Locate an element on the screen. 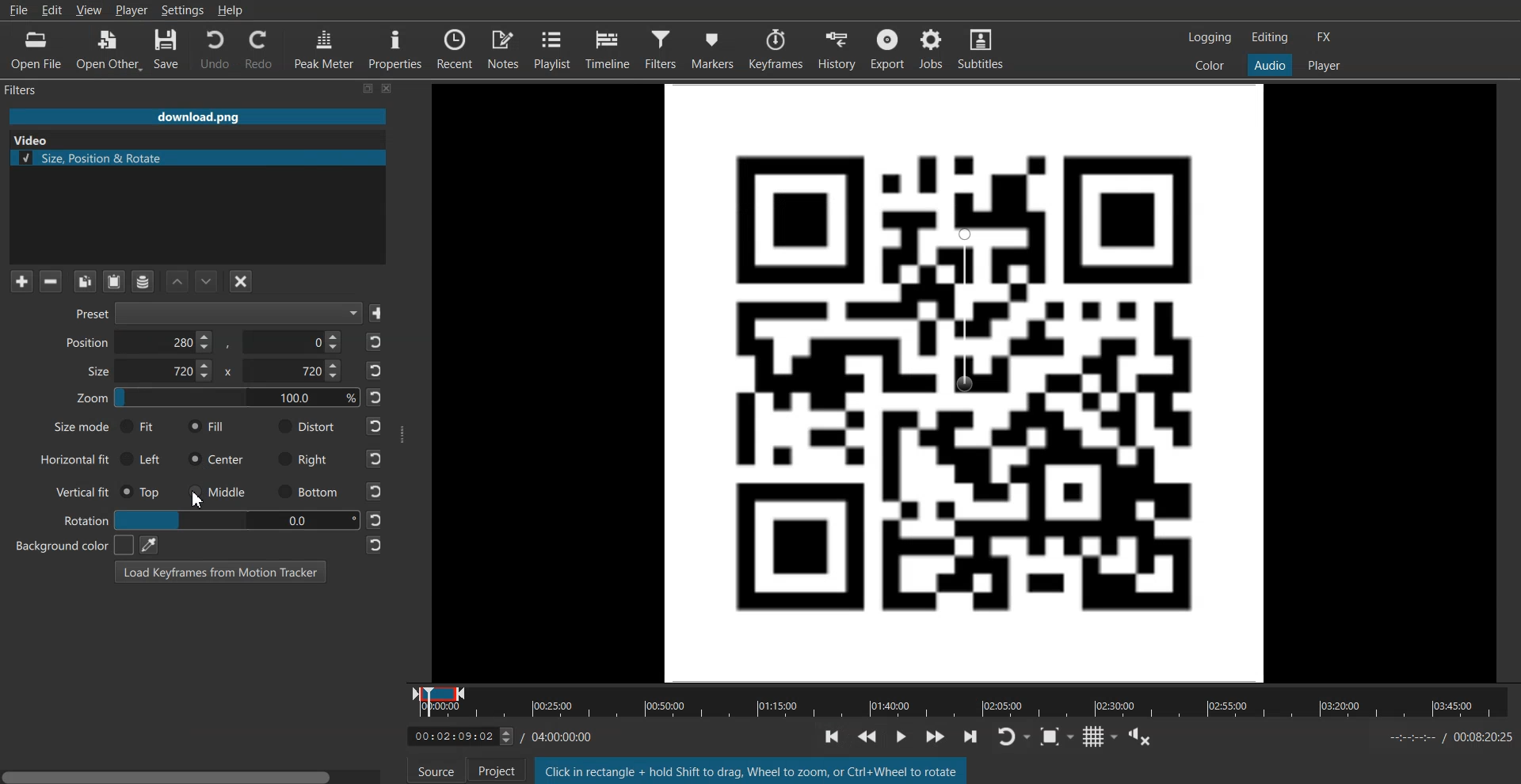  Play Quickly backwards is located at coordinates (870, 735).